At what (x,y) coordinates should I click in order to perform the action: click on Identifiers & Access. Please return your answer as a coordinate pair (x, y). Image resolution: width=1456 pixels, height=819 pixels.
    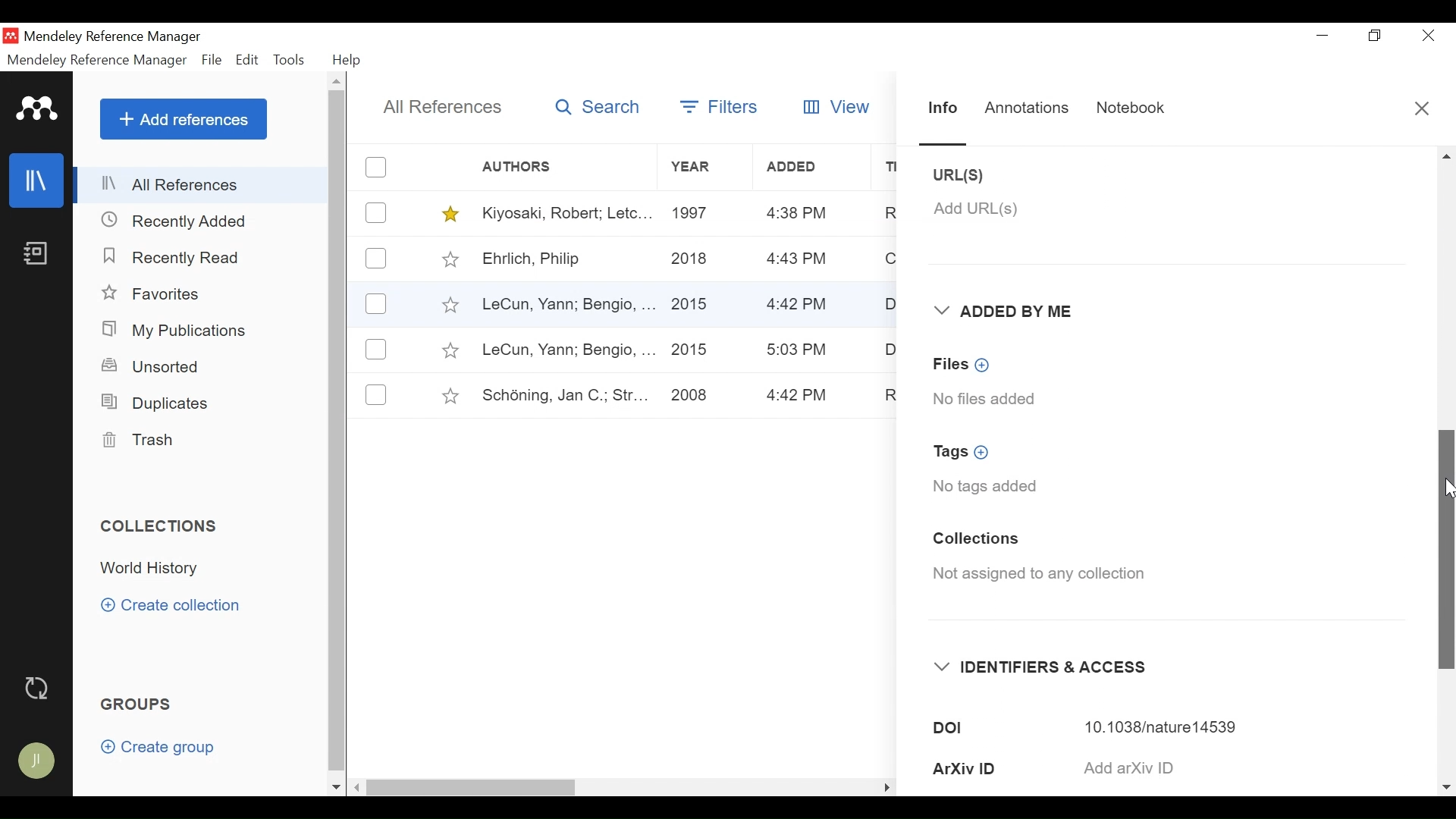
    Looking at the image, I should click on (1044, 667).